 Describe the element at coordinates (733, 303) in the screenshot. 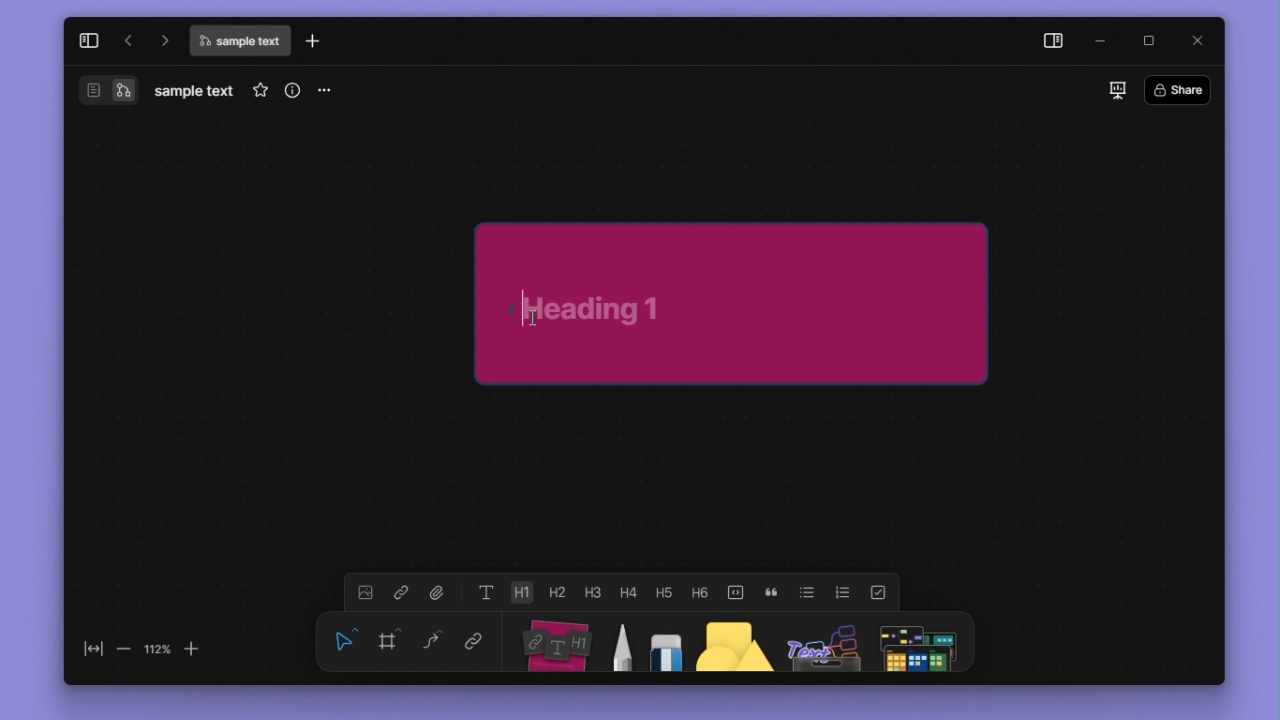

I see `sticky note` at that location.